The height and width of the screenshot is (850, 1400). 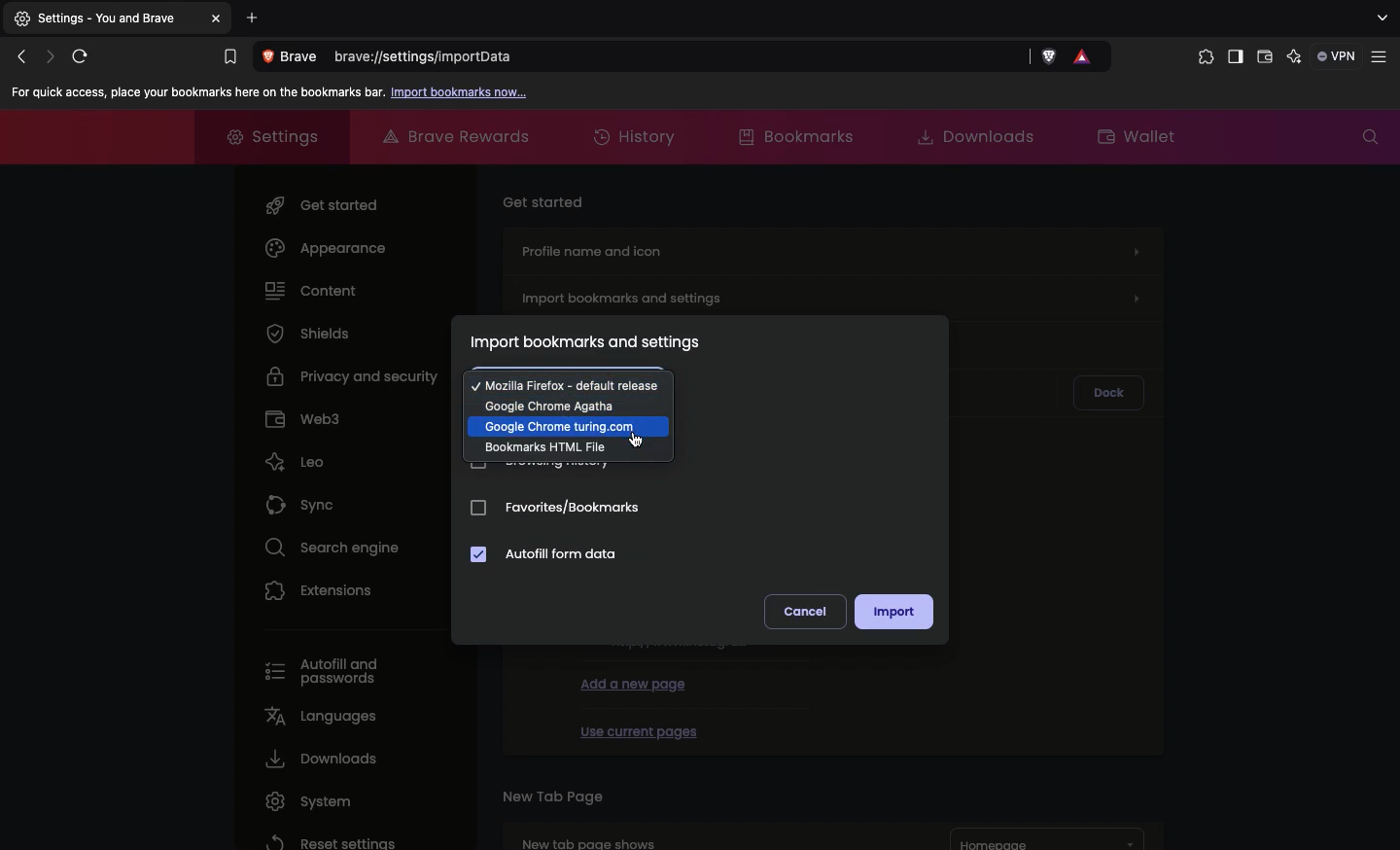 I want to click on Bookmarks HTML file, so click(x=565, y=448).